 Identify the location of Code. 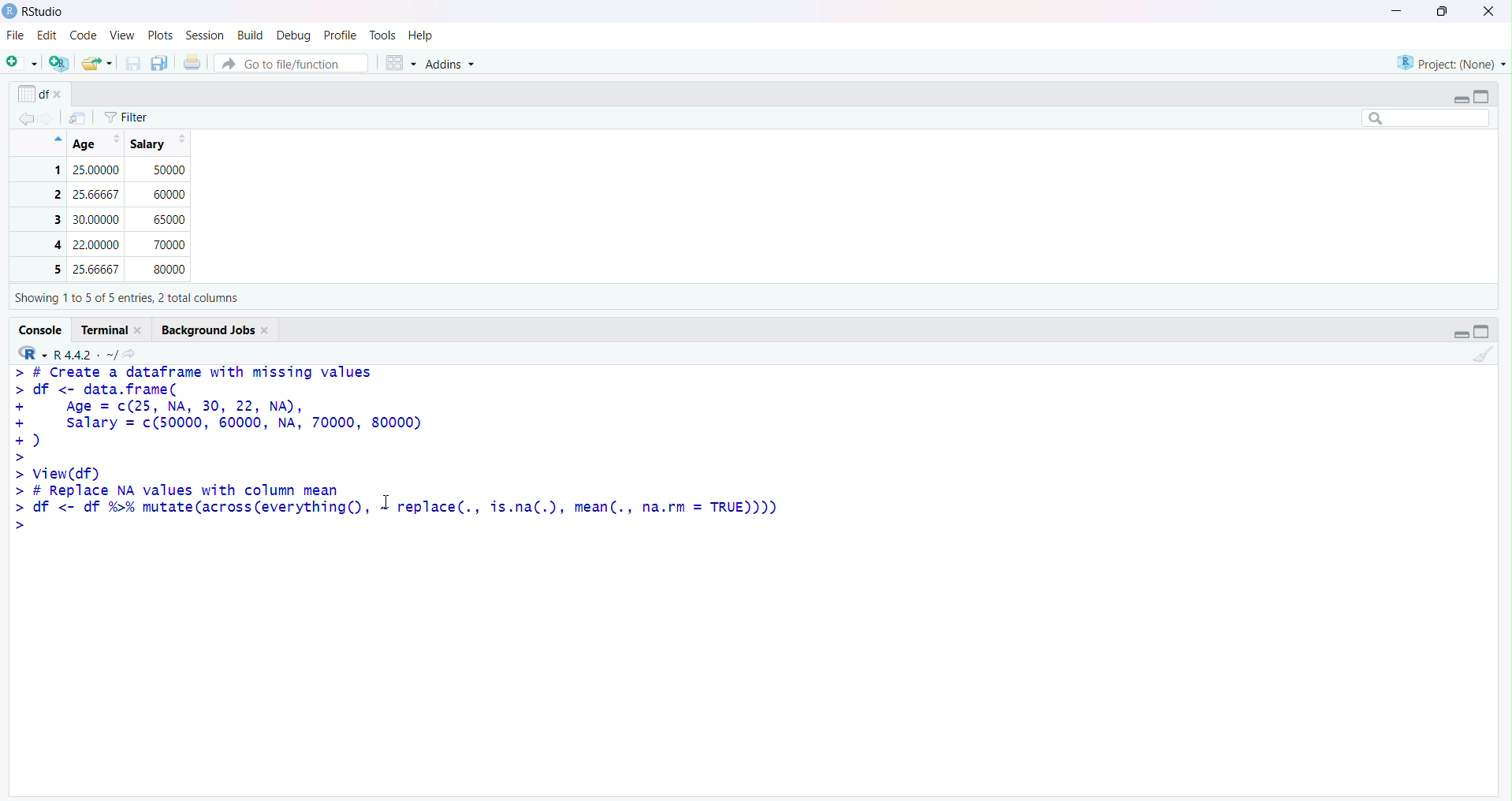
(84, 36).